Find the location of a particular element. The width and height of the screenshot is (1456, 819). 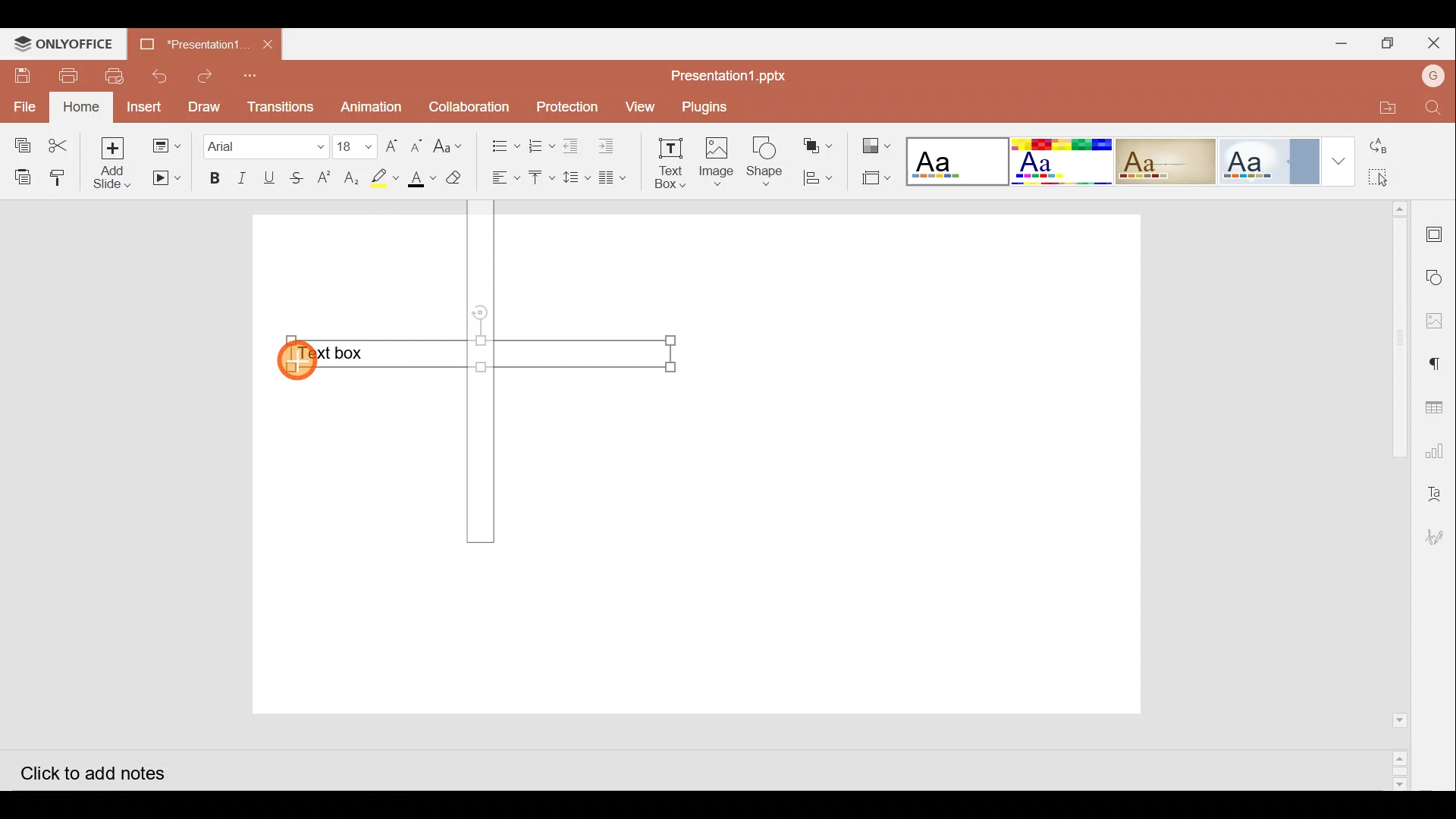

Decrease indent is located at coordinates (573, 145).